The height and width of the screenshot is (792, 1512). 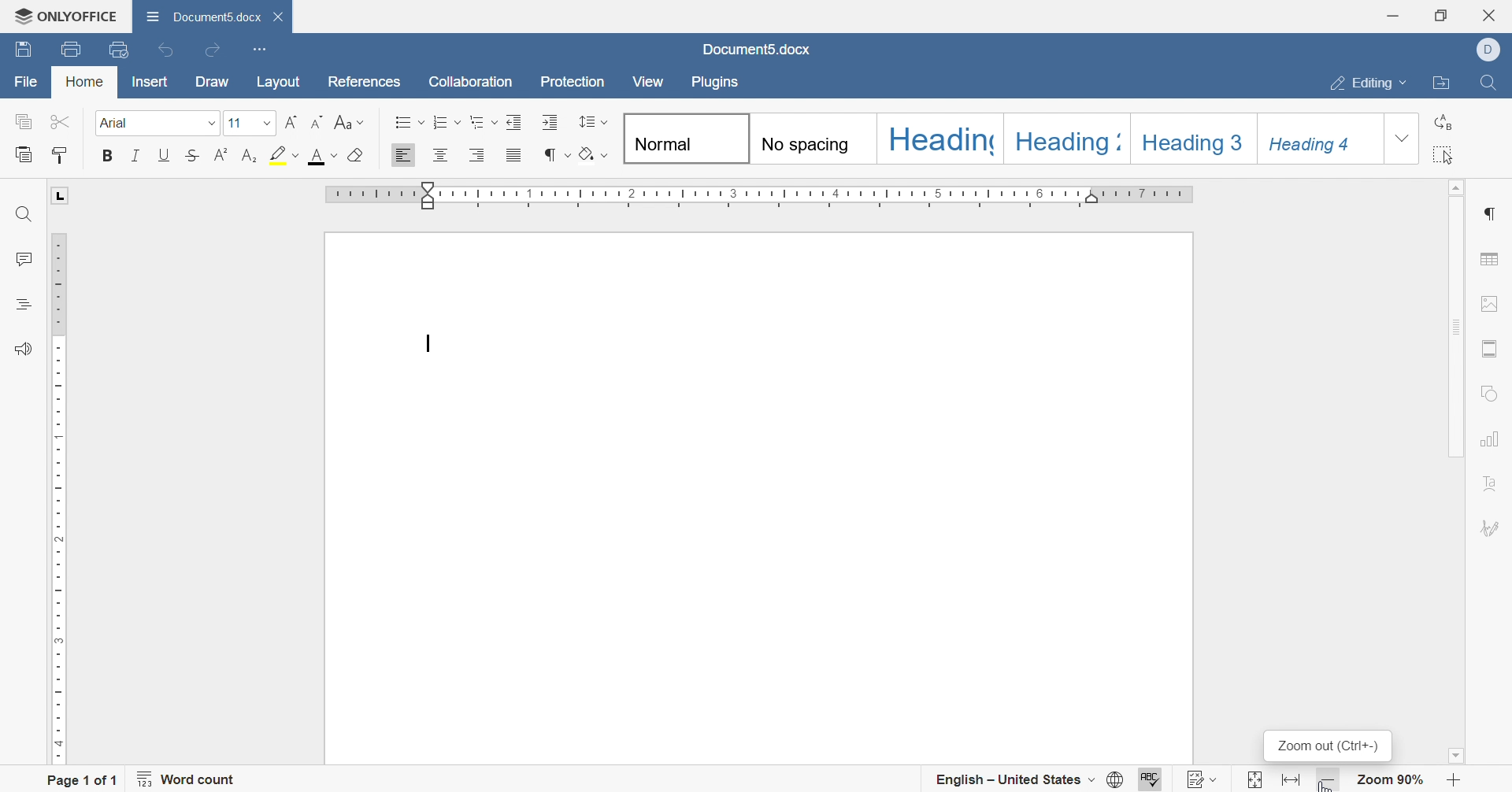 What do you see at coordinates (26, 121) in the screenshot?
I see `copy` at bounding box center [26, 121].